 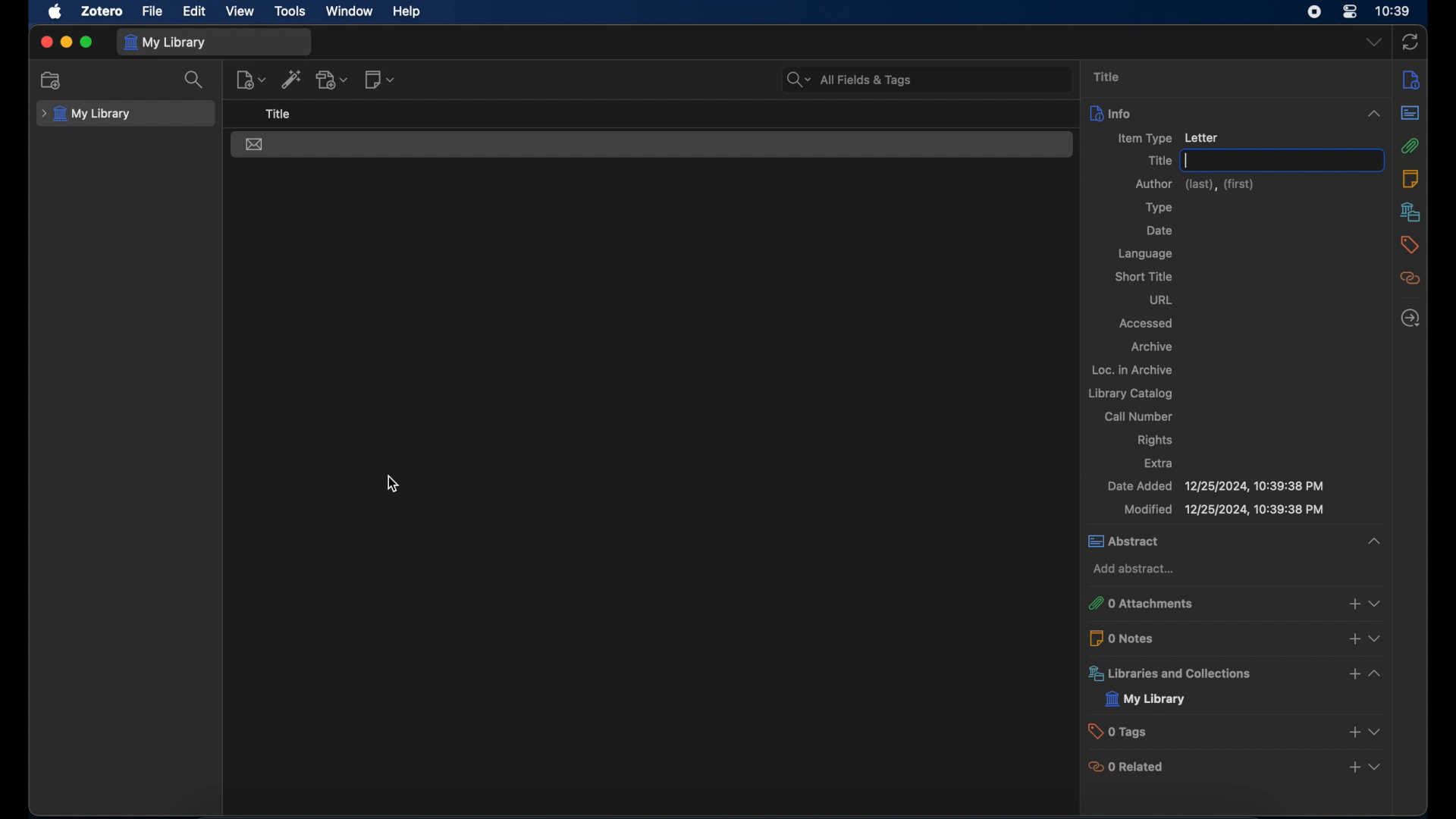 What do you see at coordinates (1225, 509) in the screenshot?
I see `modified` at bounding box center [1225, 509].